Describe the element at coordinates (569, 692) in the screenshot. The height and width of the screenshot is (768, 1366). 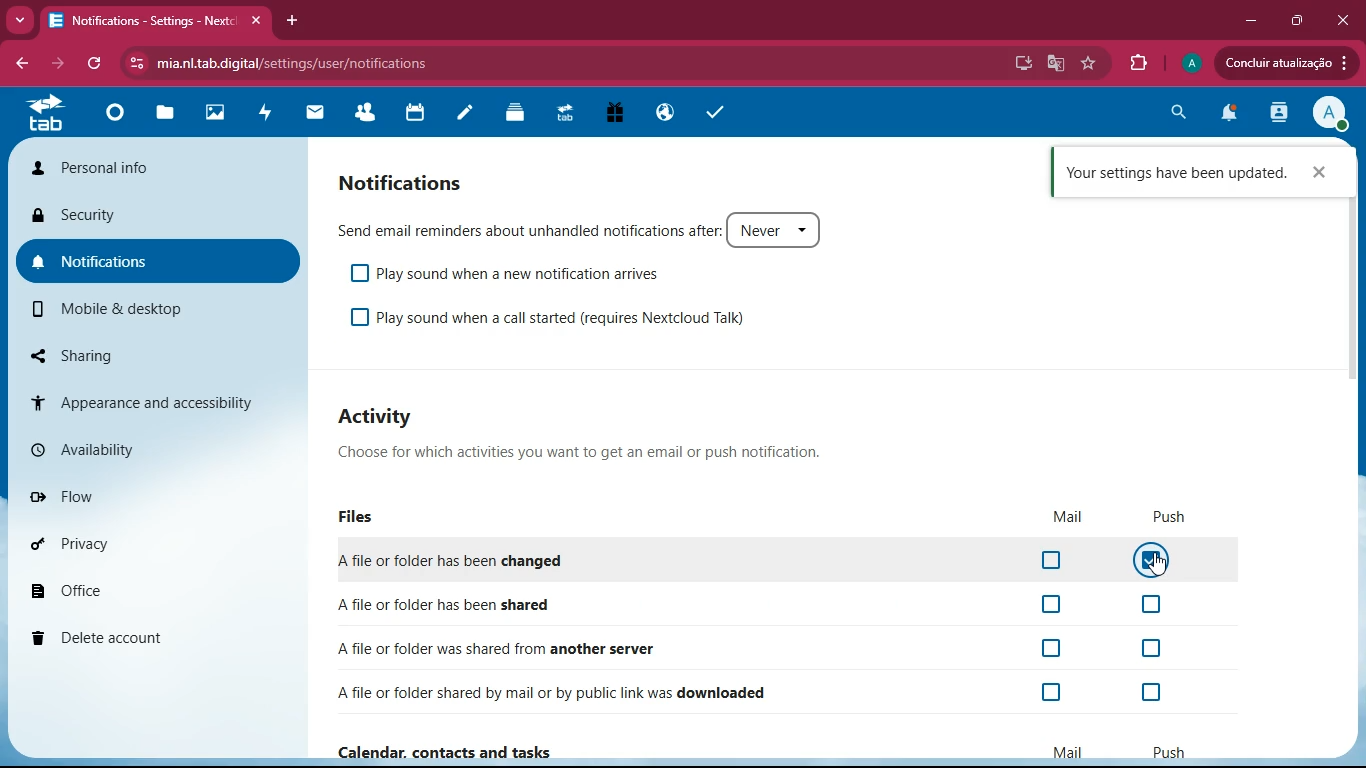
I see `downloaded` at that location.